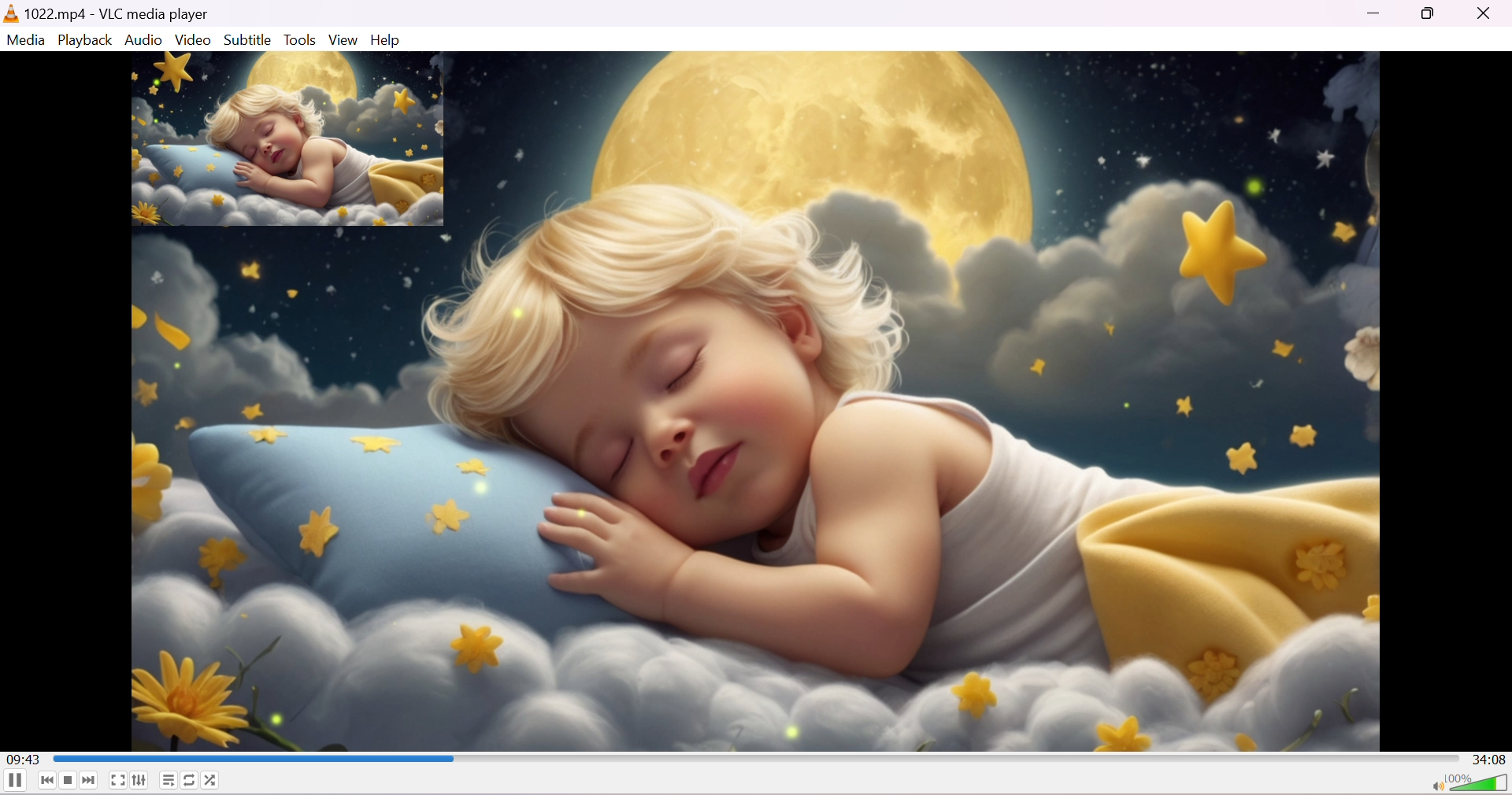  I want to click on Toggle the video in fullscreen, so click(117, 782).